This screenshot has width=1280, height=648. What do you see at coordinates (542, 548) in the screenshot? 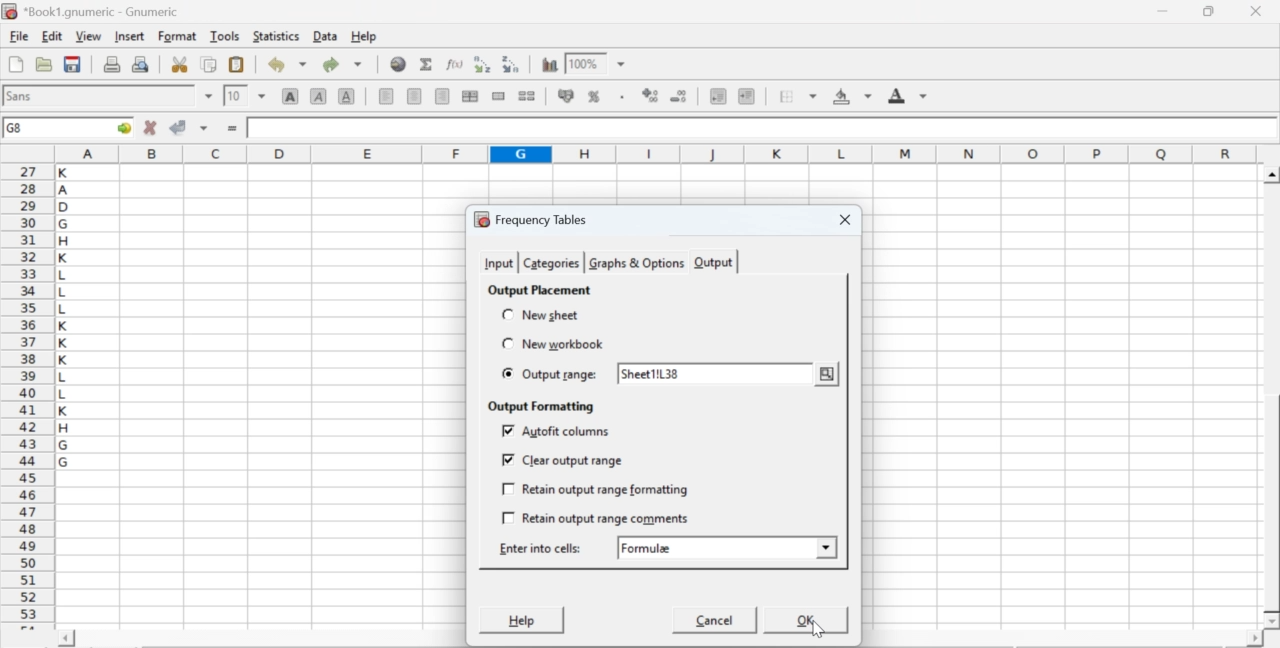
I see `enter into cells:` at bounding box center [542, 548].